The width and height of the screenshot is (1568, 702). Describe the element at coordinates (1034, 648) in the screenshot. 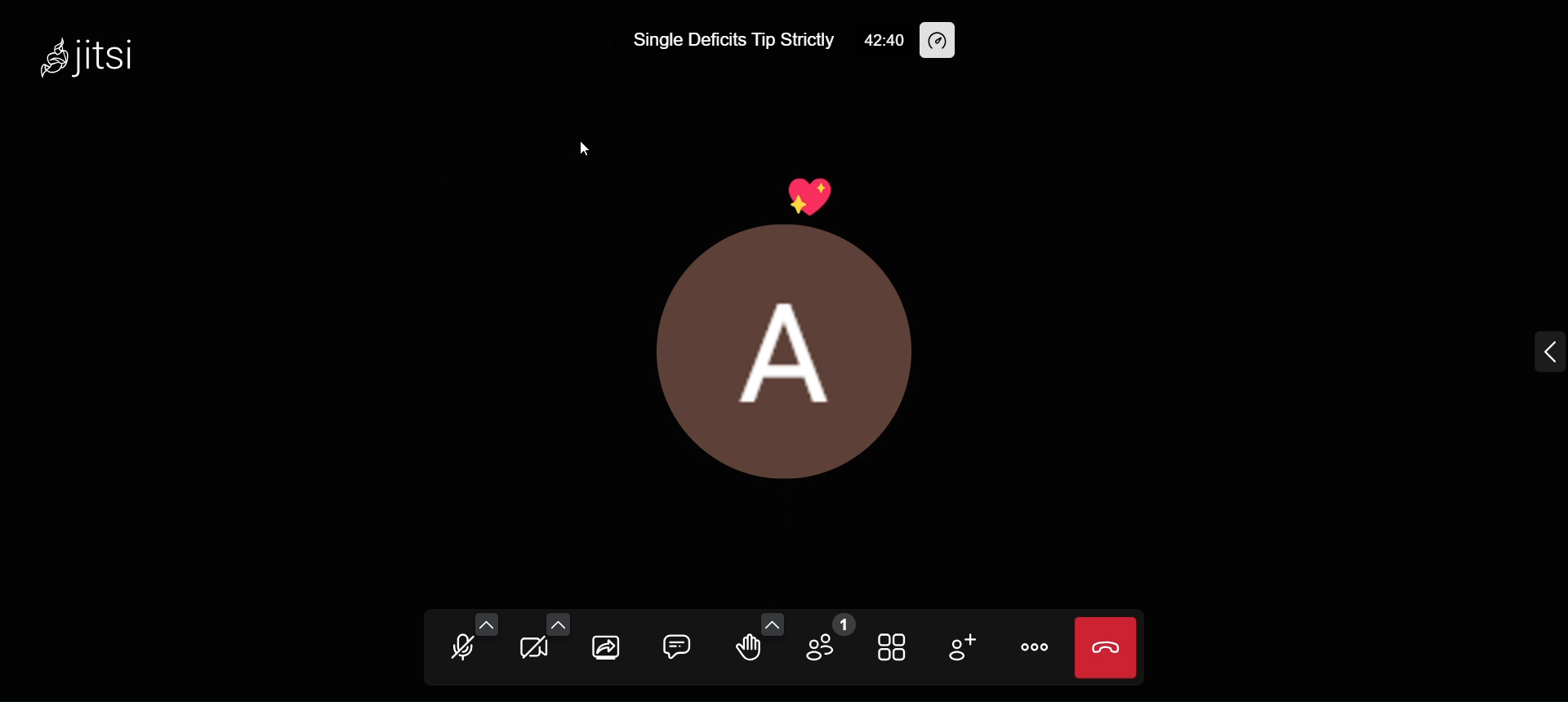

I see `more actions` at that location.